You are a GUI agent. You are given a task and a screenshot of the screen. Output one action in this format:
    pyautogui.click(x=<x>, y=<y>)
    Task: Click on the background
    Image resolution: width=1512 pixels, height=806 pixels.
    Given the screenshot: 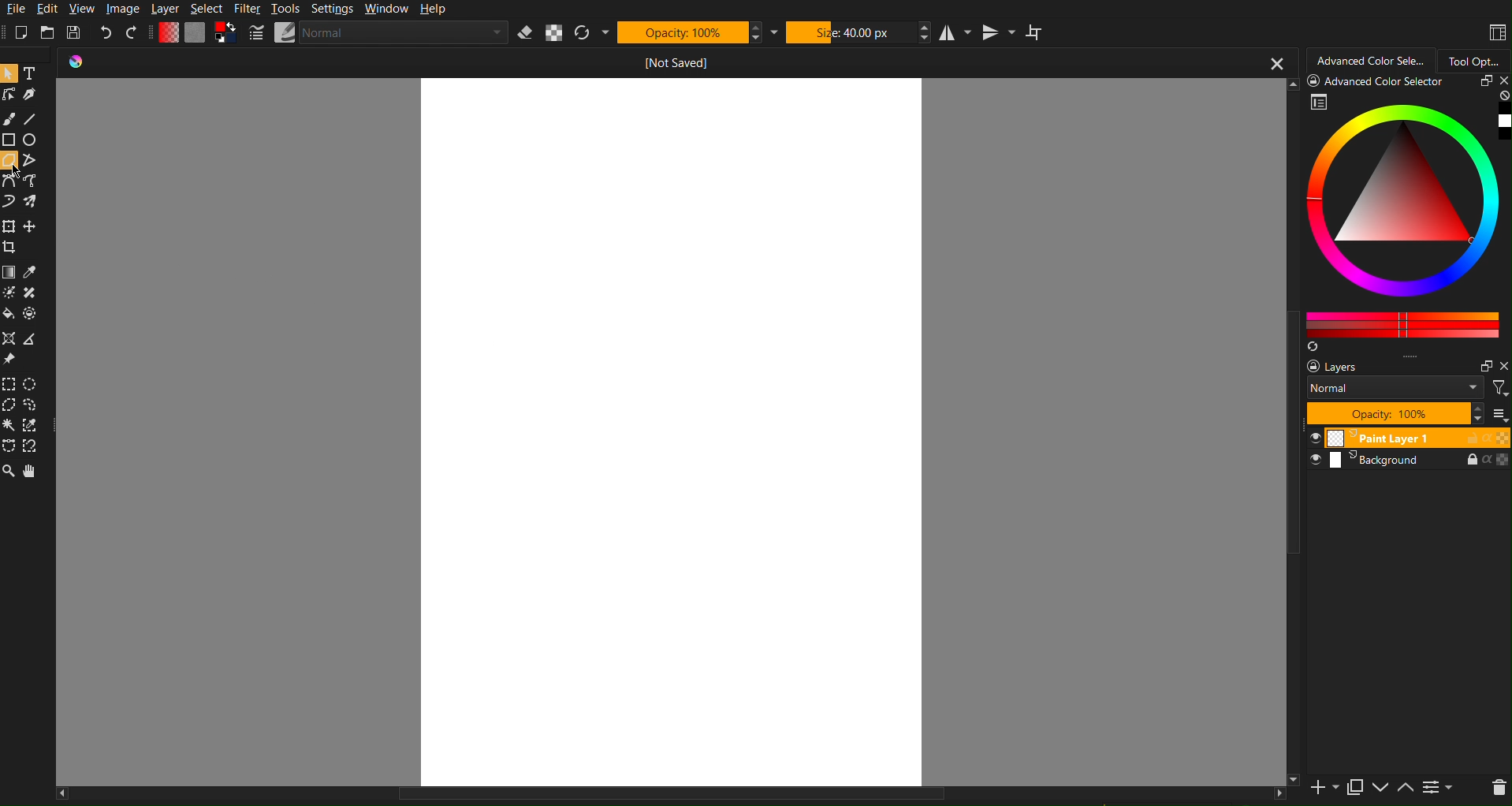 What is the action you would take?
    pyautogui.click(x=1409, y=461)
    